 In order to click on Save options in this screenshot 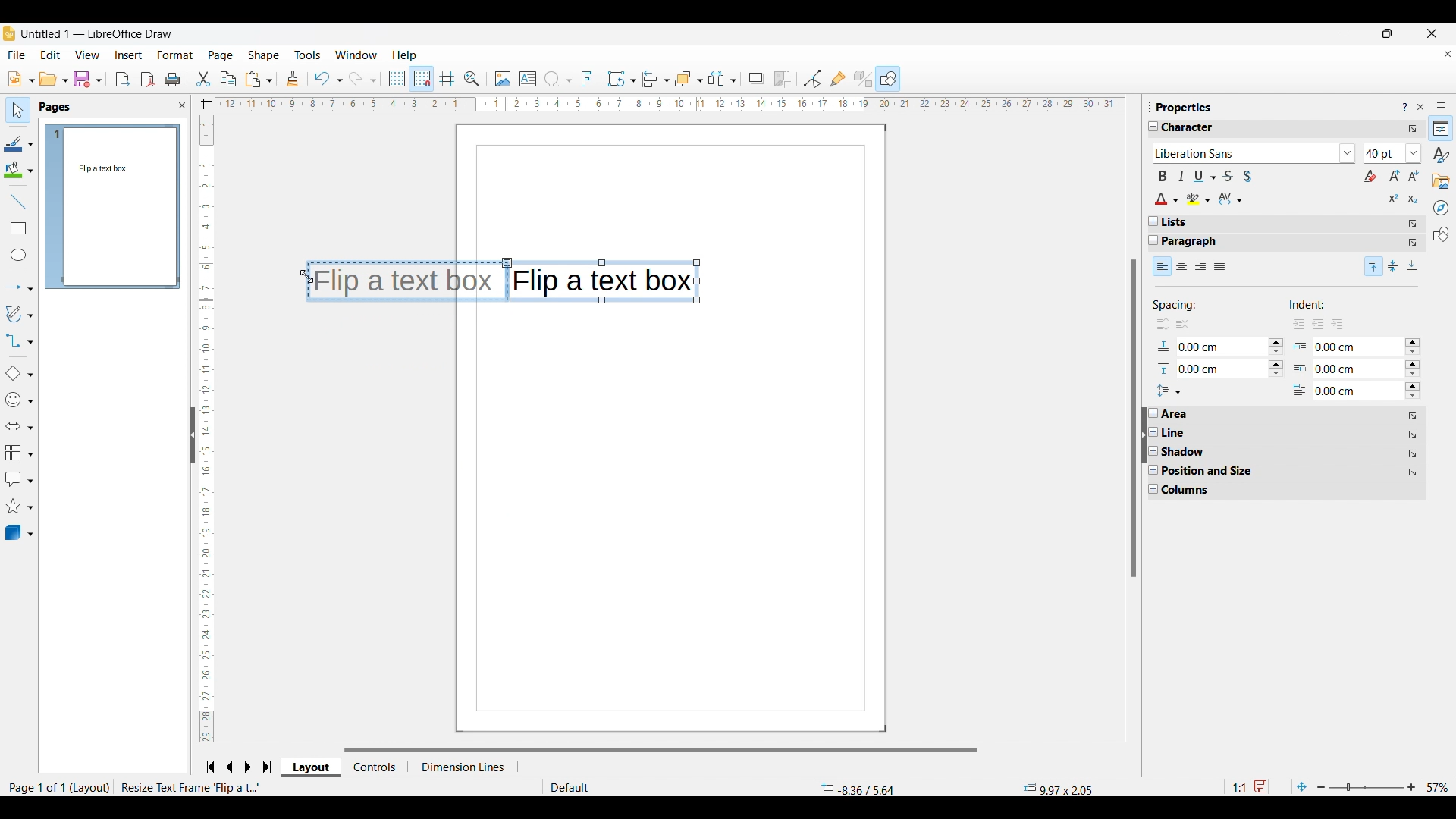, I will do `click(88, 79)`.